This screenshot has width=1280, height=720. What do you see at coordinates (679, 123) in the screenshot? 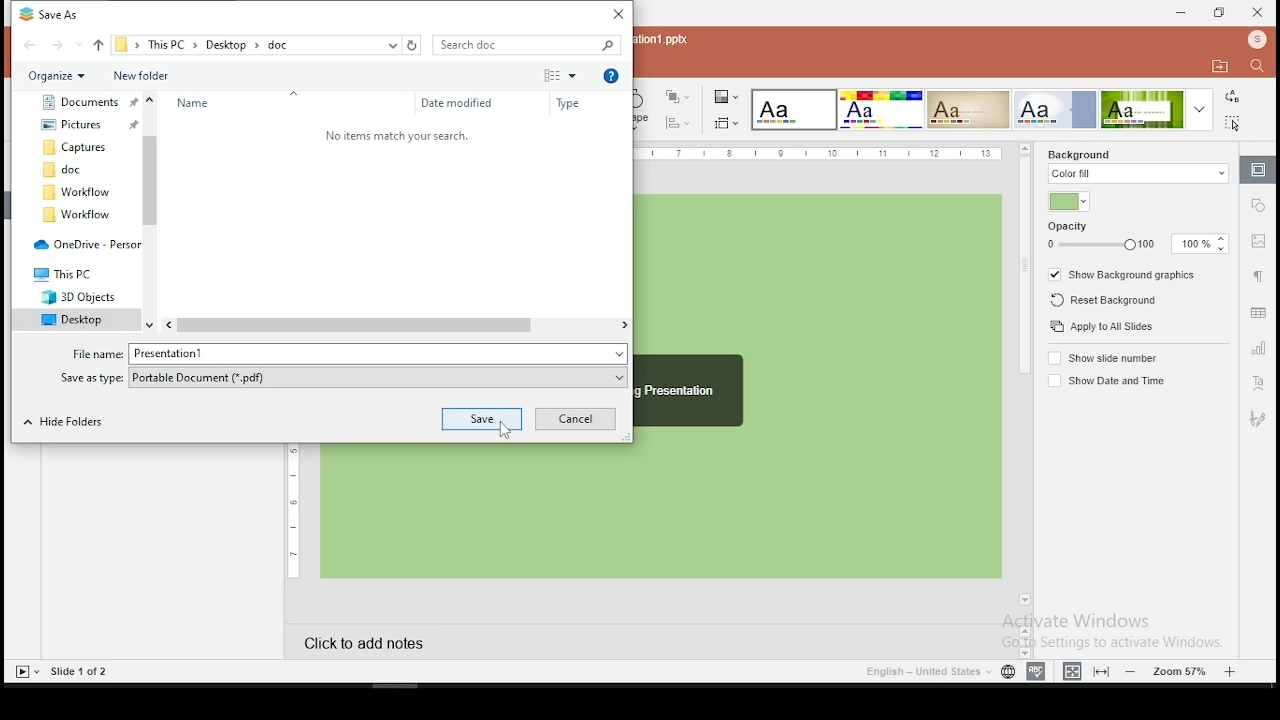
I see `align shapes` at bounding box center [679, 123].